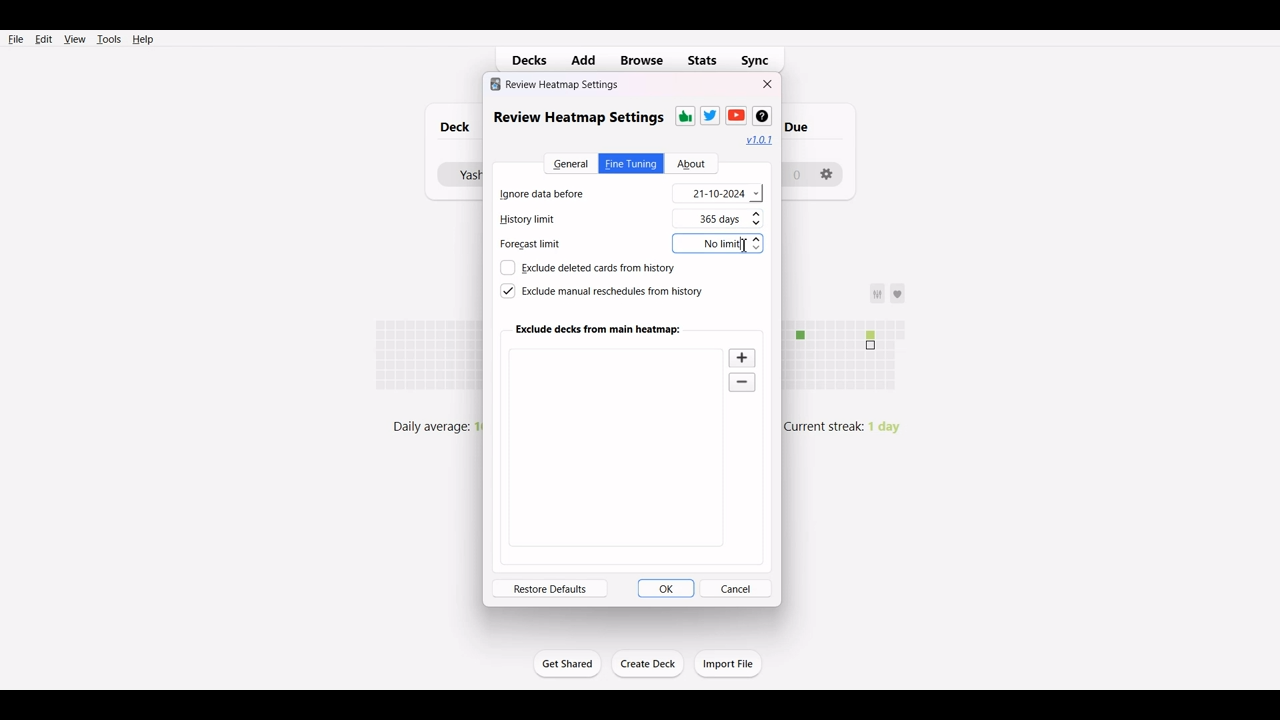 The height and width of the screenshot is (720, 1280). I want to click on Get Started, so click(566, 663).